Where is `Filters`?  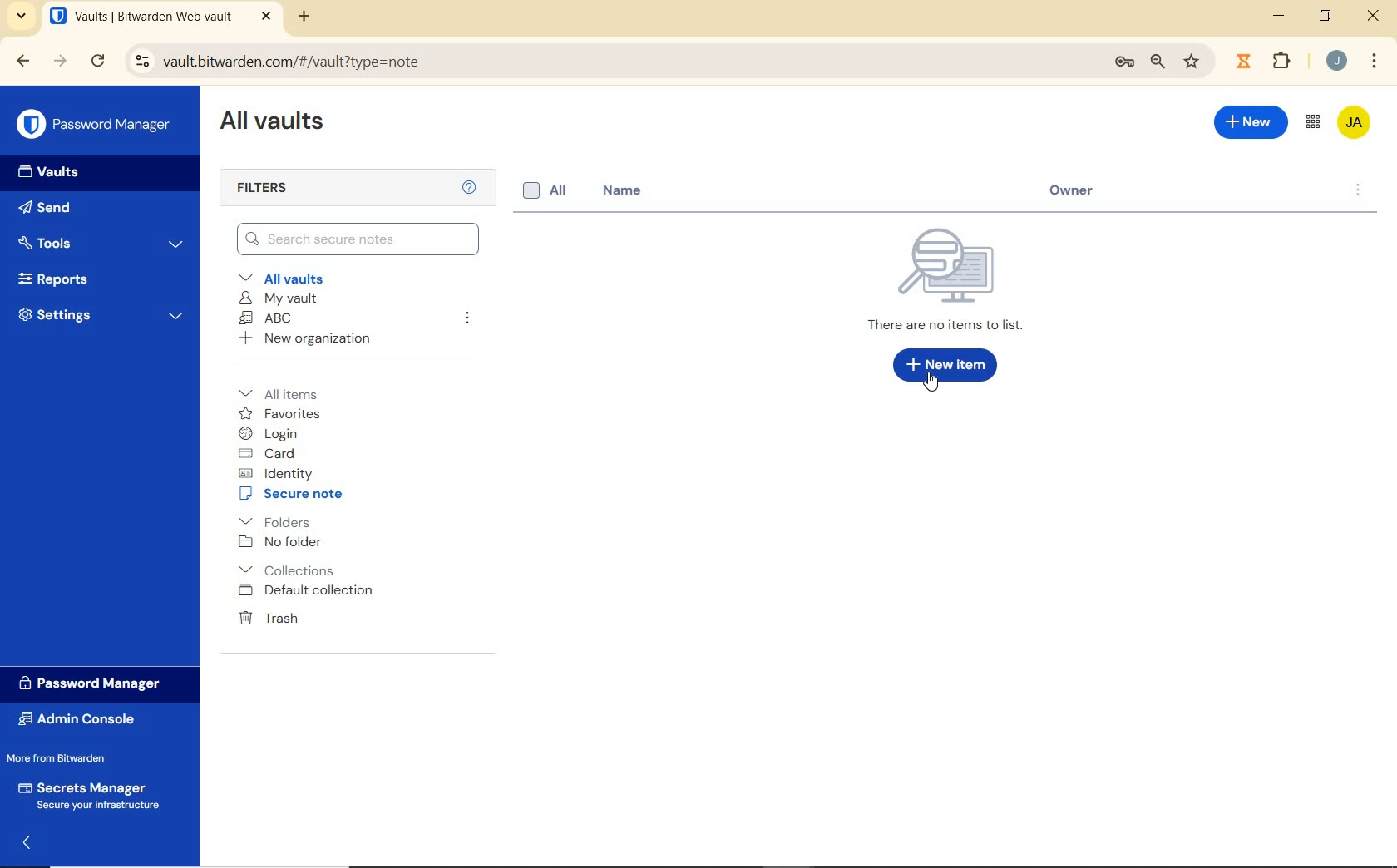 Filters is located at coordinates (281, 189).